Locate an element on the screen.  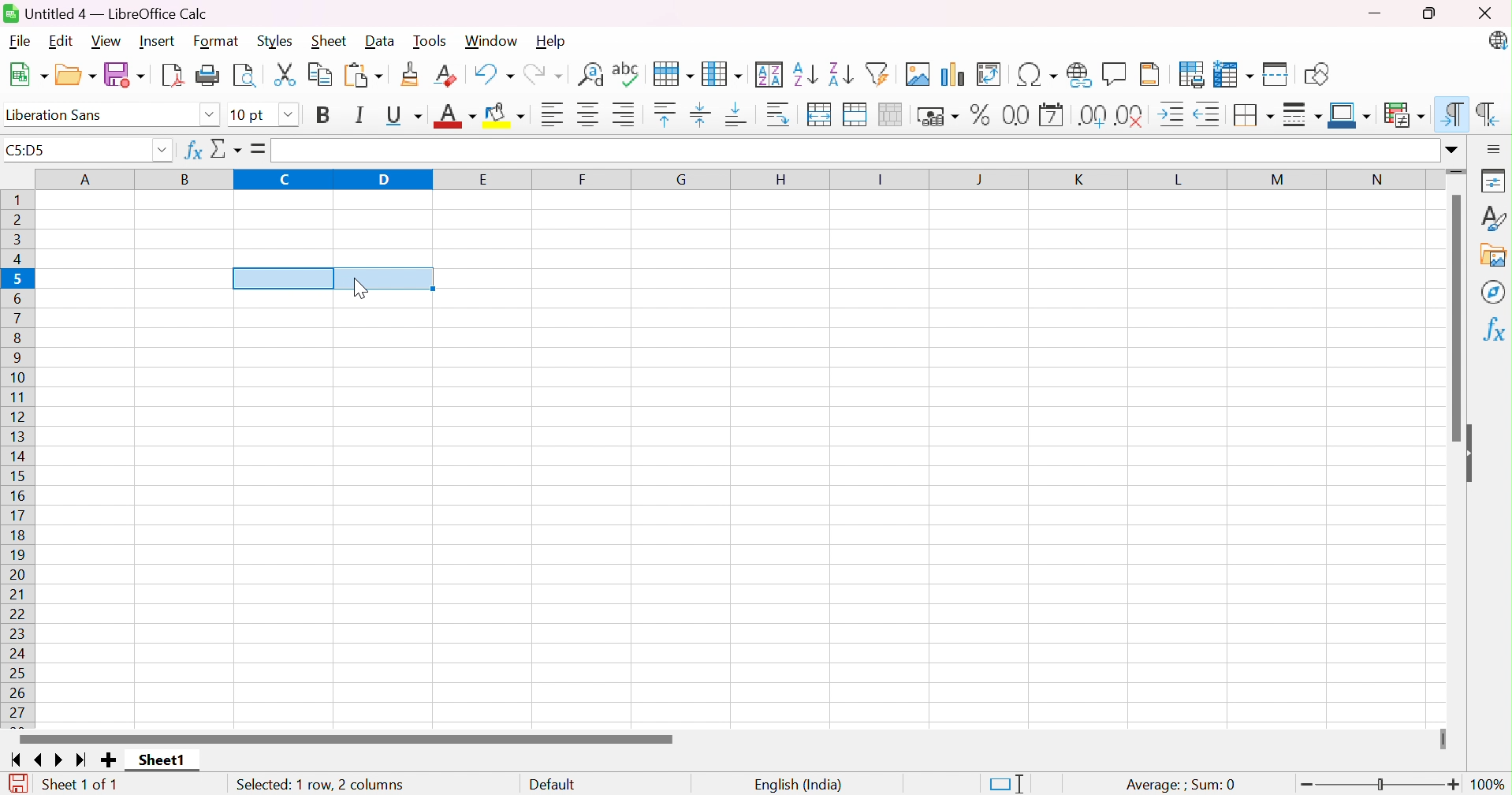
Styles is located at coordinates (275, 42).